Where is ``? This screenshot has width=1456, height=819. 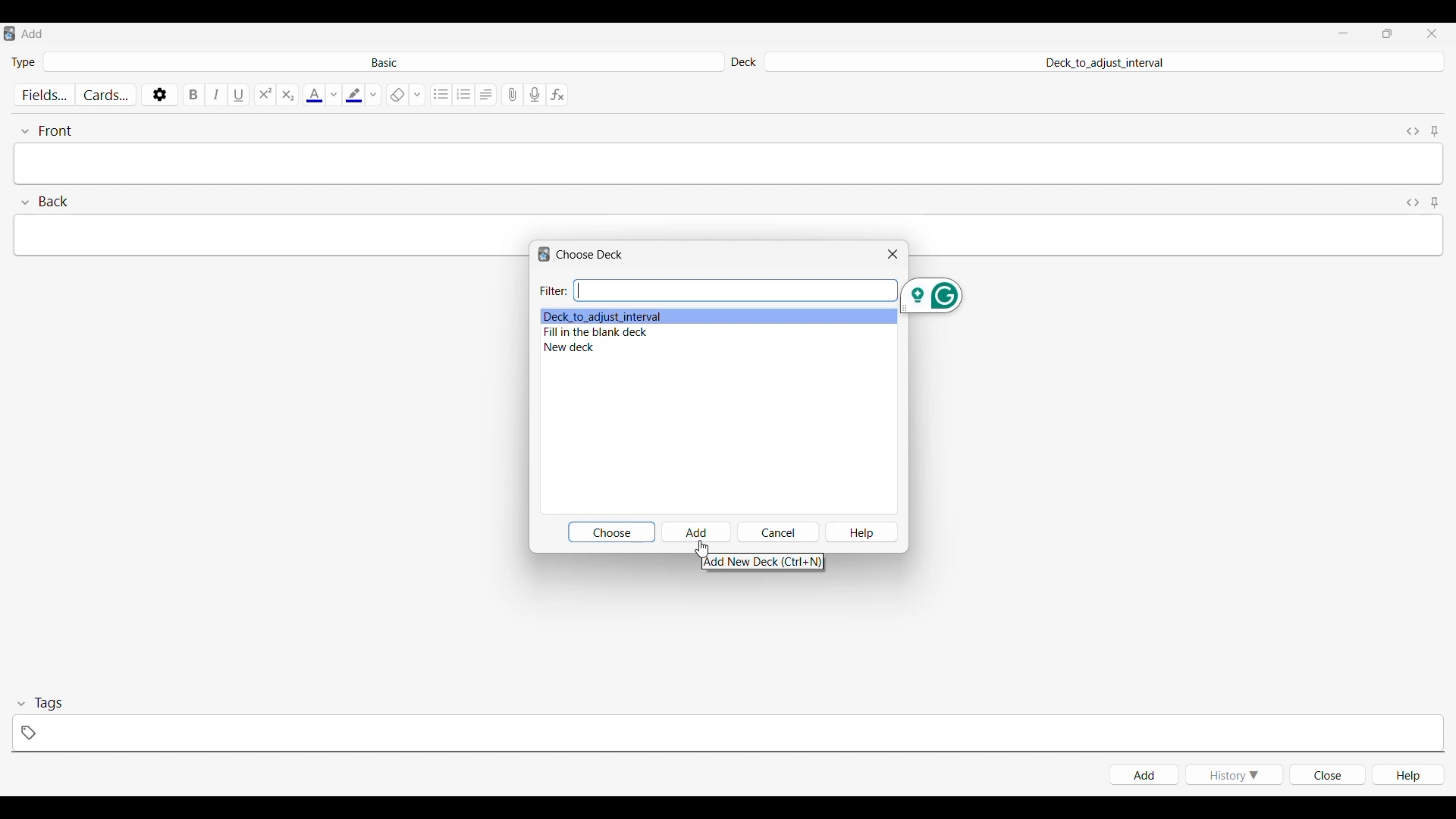
 is located at coordinates (1329, 775).